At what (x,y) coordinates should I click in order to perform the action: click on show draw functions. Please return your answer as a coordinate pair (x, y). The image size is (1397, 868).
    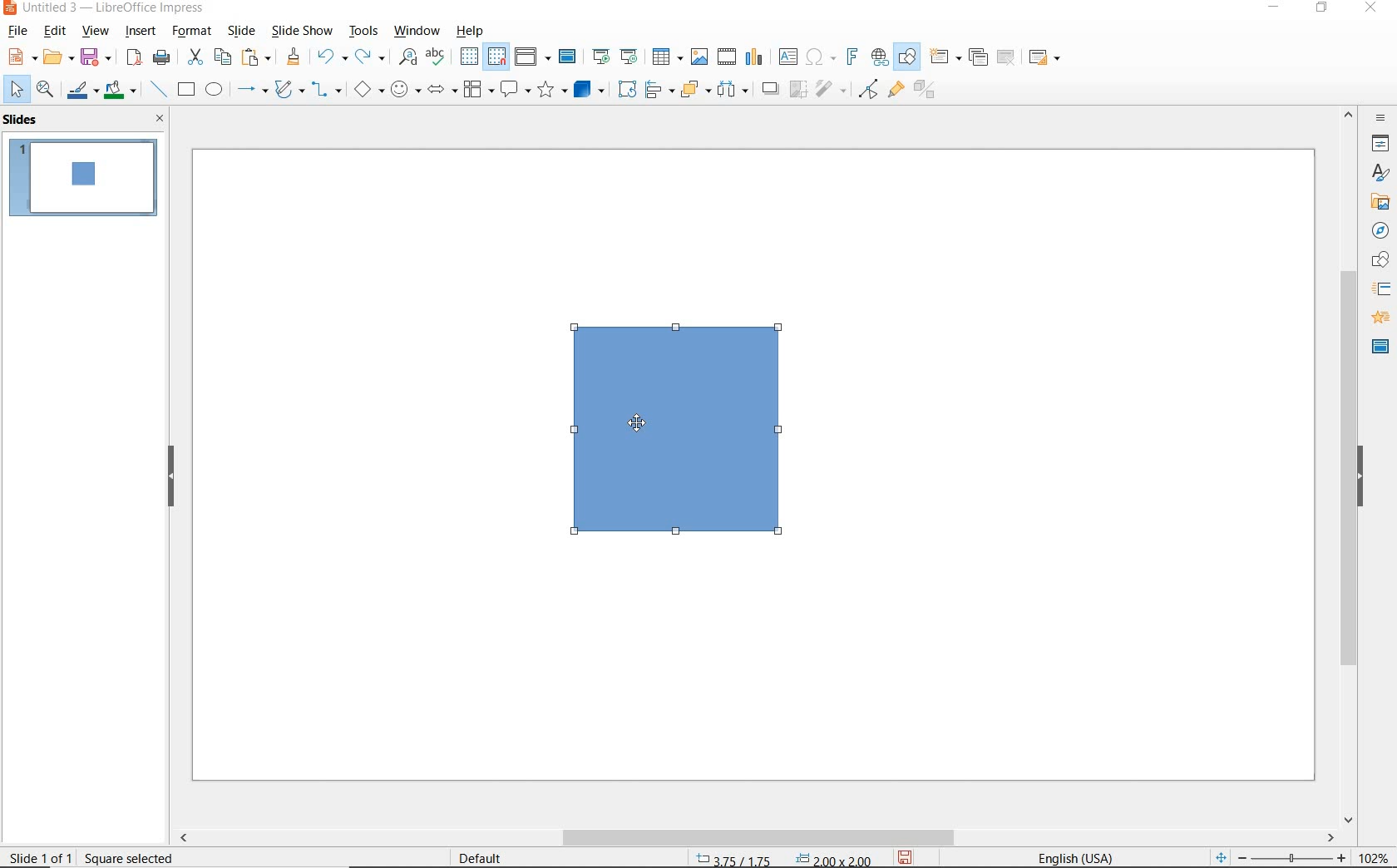
    Looking at the image, I should click on (909, 57).